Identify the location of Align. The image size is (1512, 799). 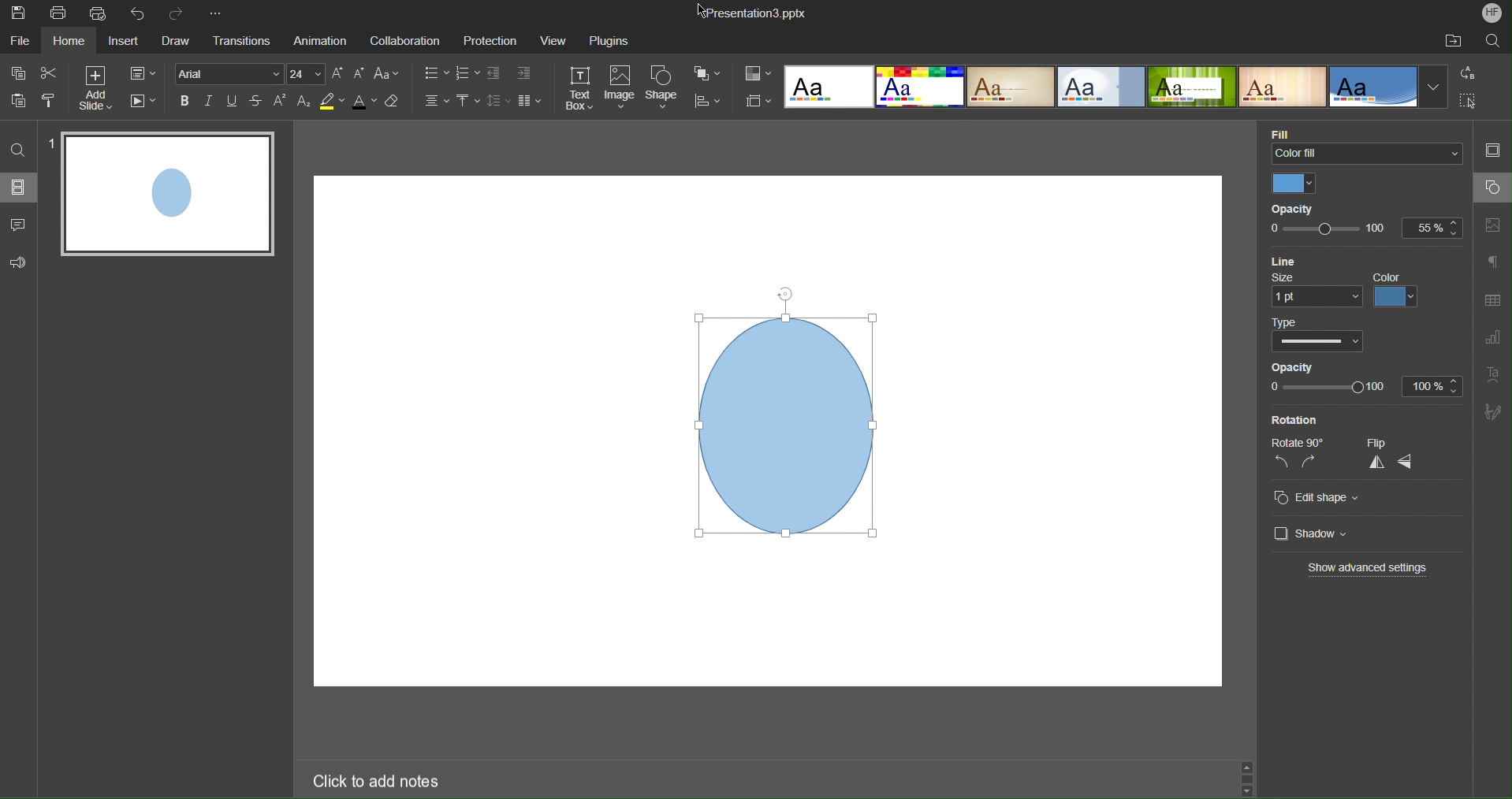
(713, 102).